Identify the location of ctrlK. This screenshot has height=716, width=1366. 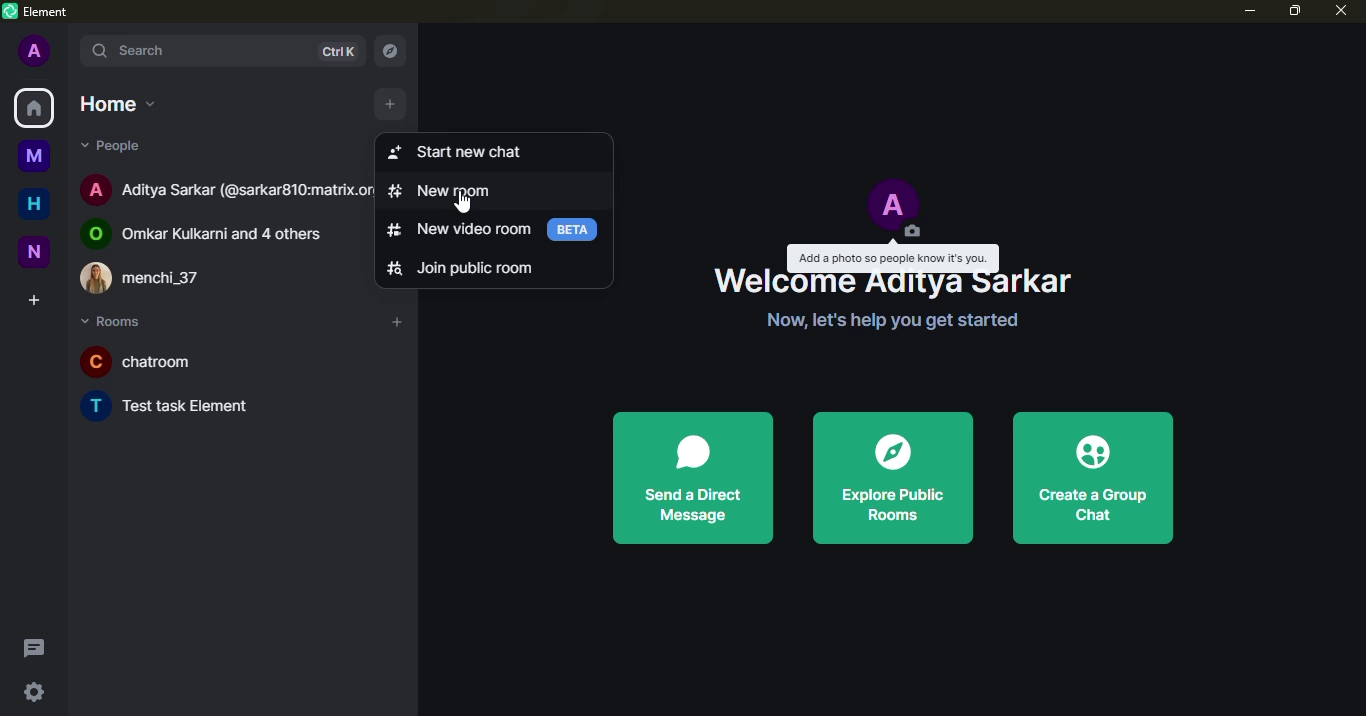
(337, 52).